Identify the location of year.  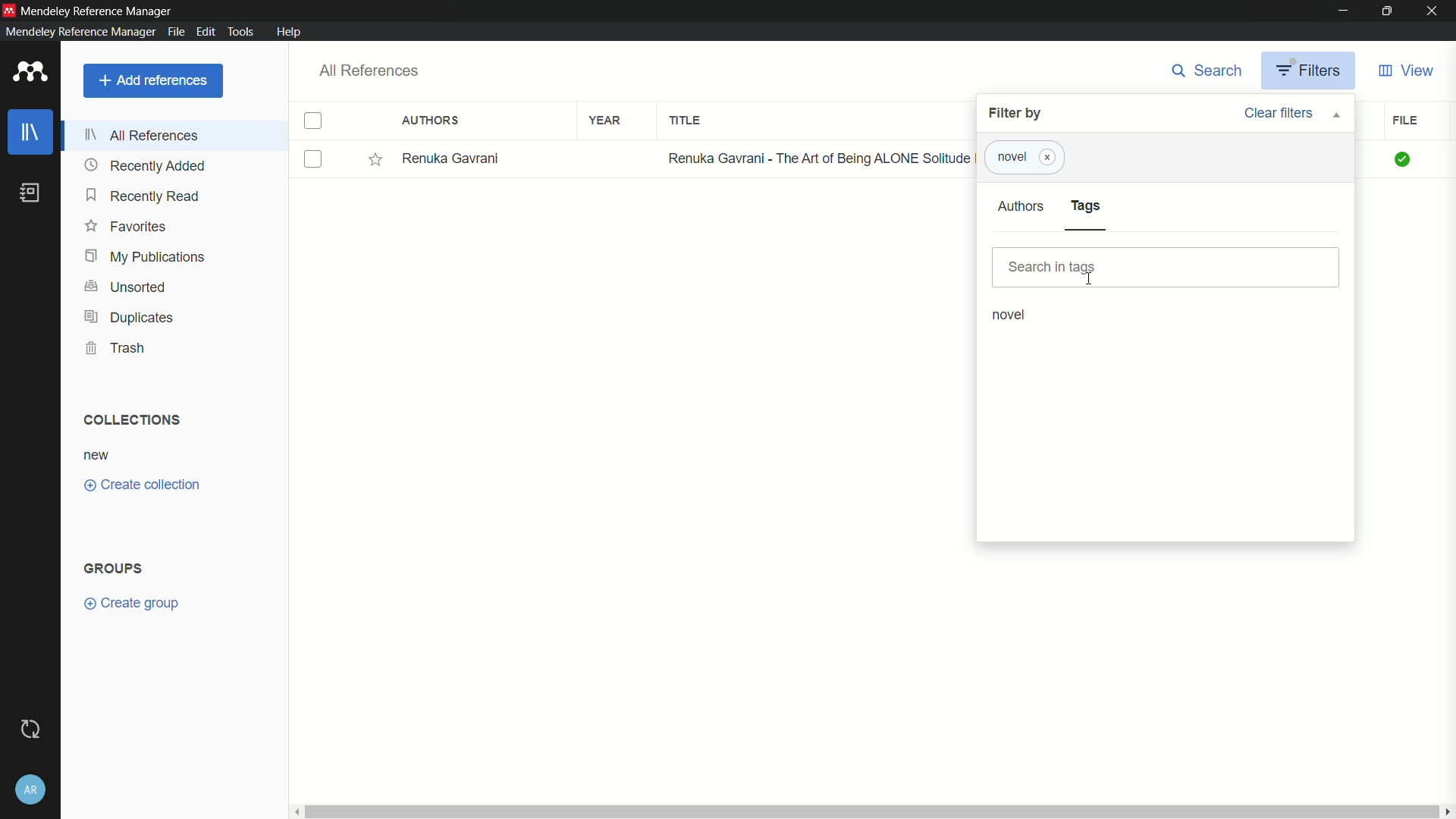
(607, 121).